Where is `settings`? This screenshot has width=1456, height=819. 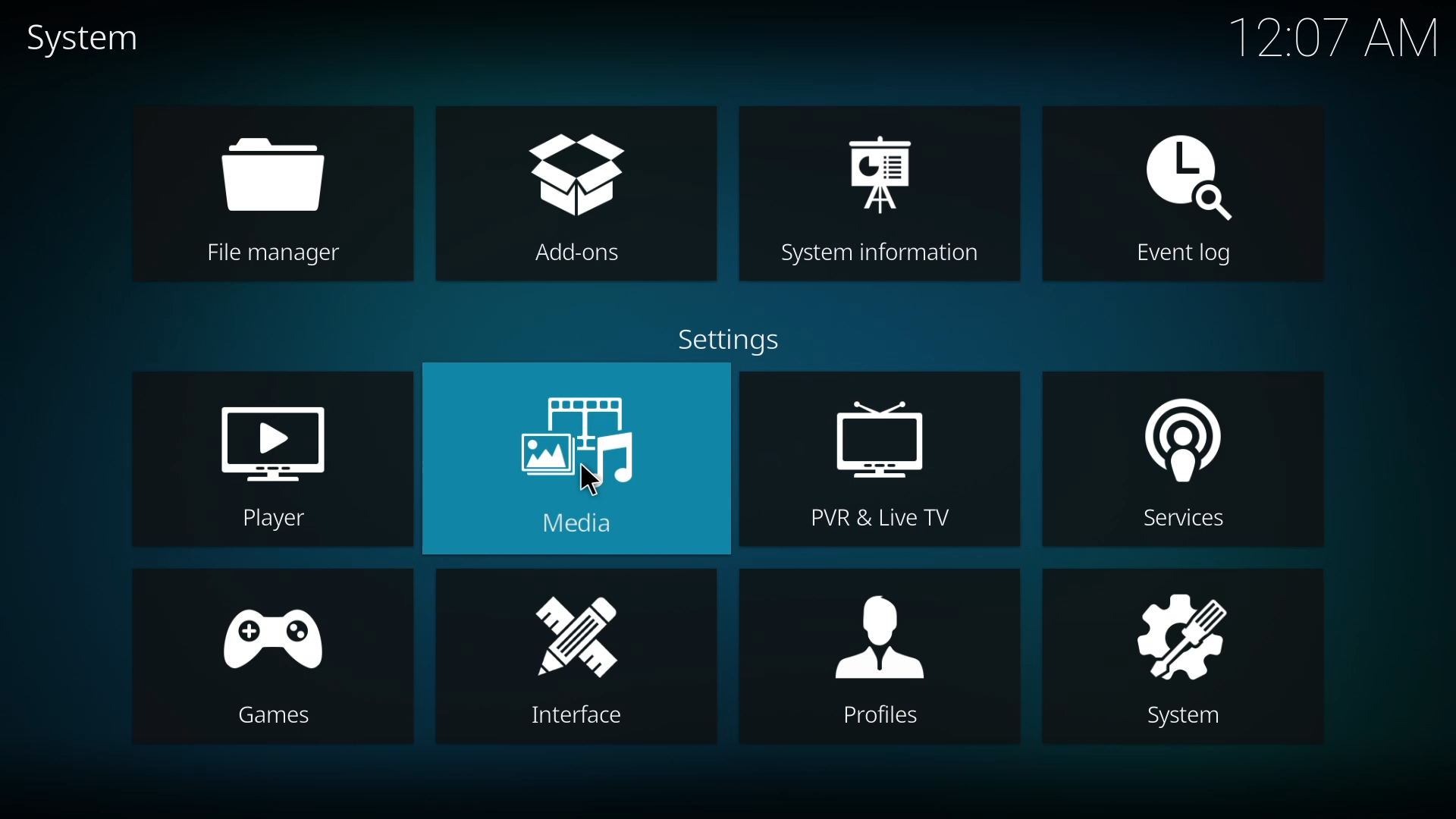 settings is located at coordinates (726, 339).